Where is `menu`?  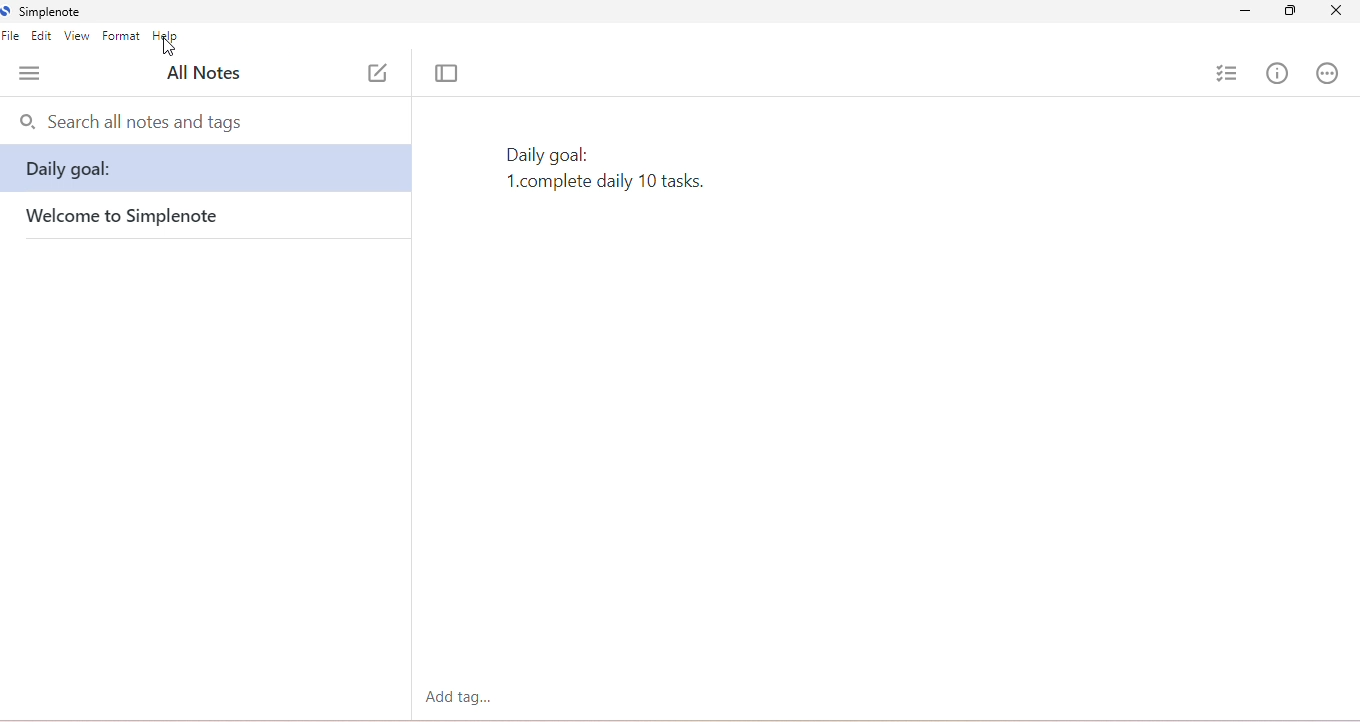
menu is located at coordinates (30, 74).